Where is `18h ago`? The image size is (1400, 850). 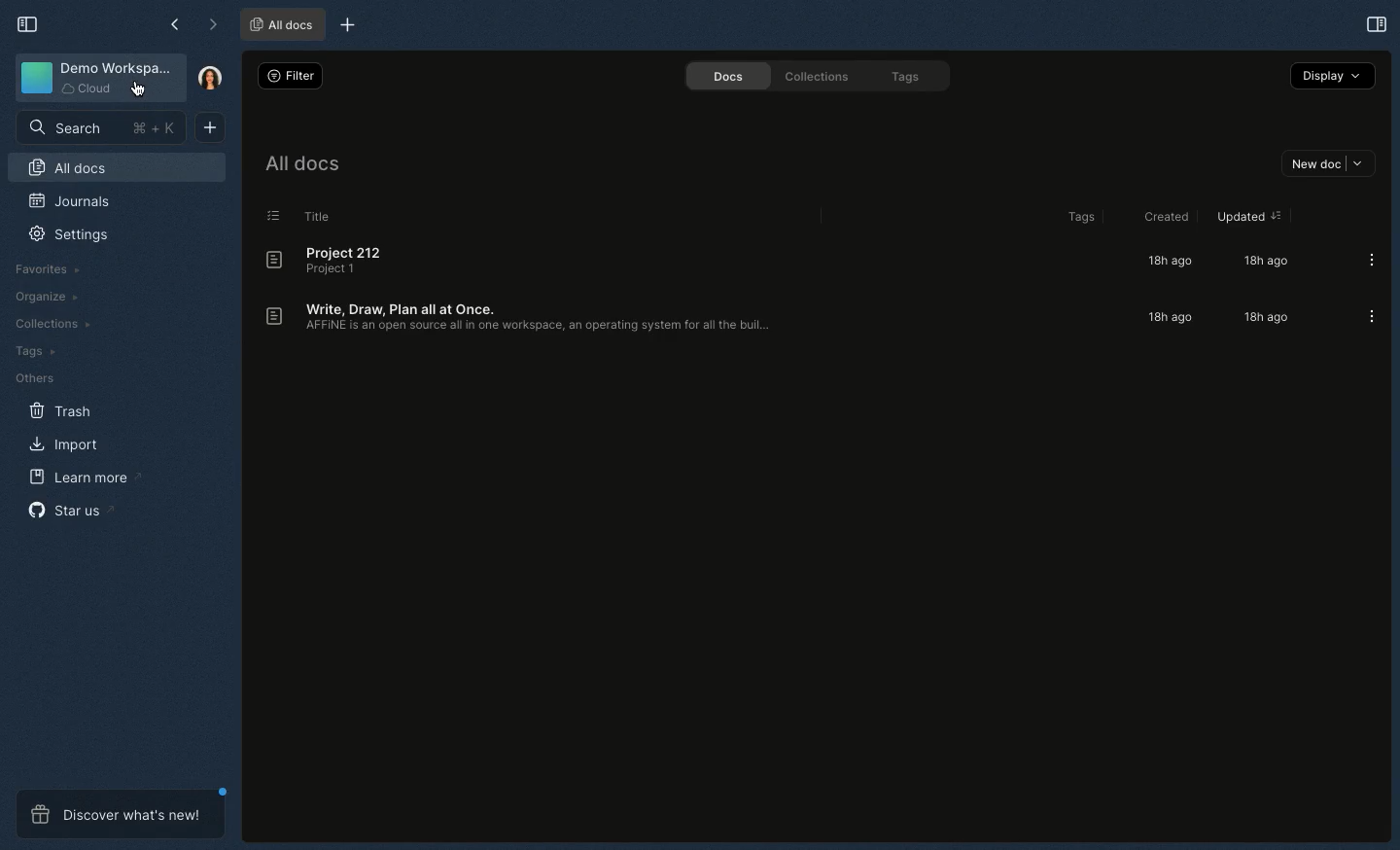
18h ago is located at coordinates (1260, 318).